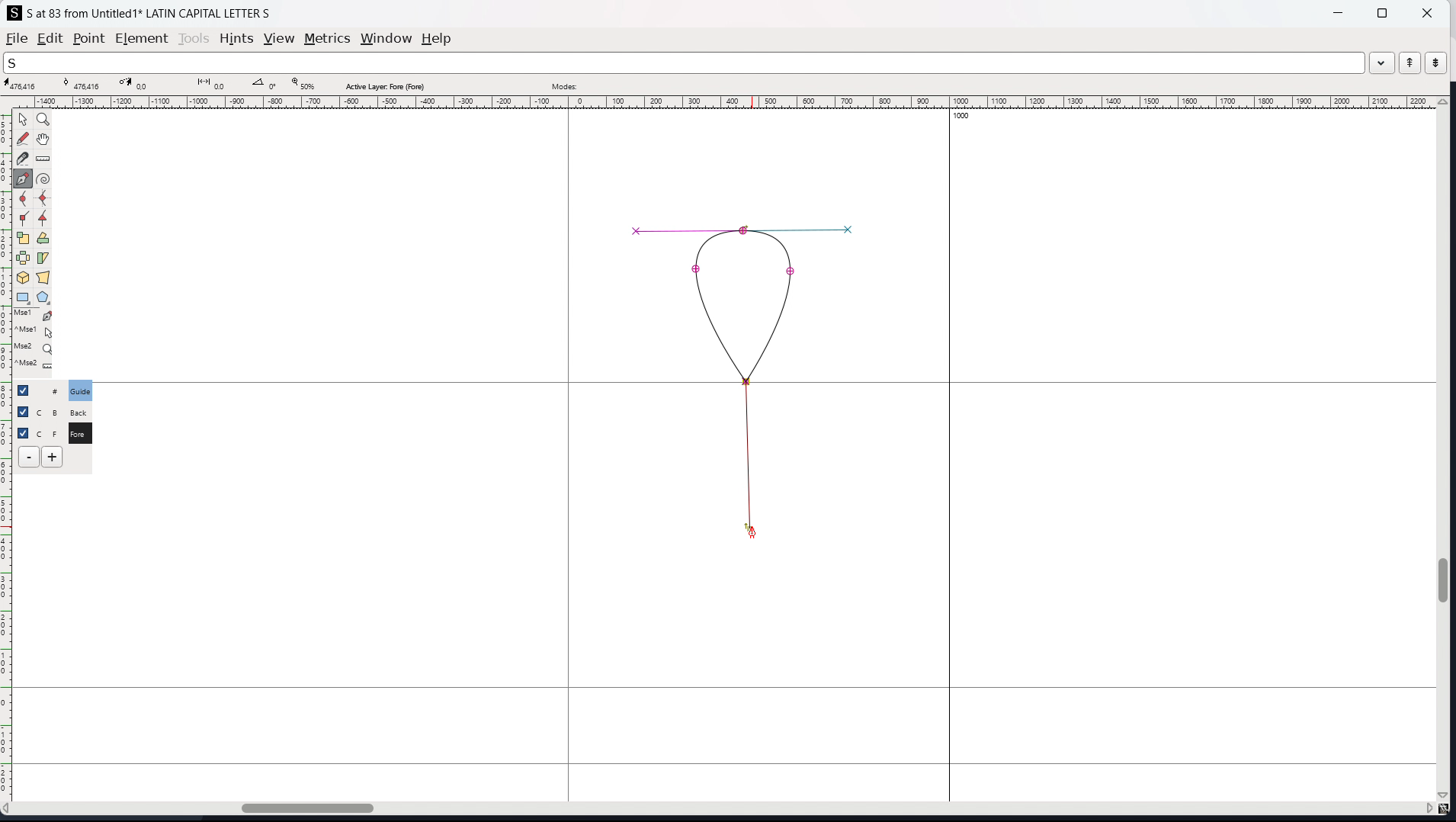 The height and width of the screenshot is (822, 1456). Describe the element at coordinates (14, 13) in the screenshot. I see `logo` at that location.